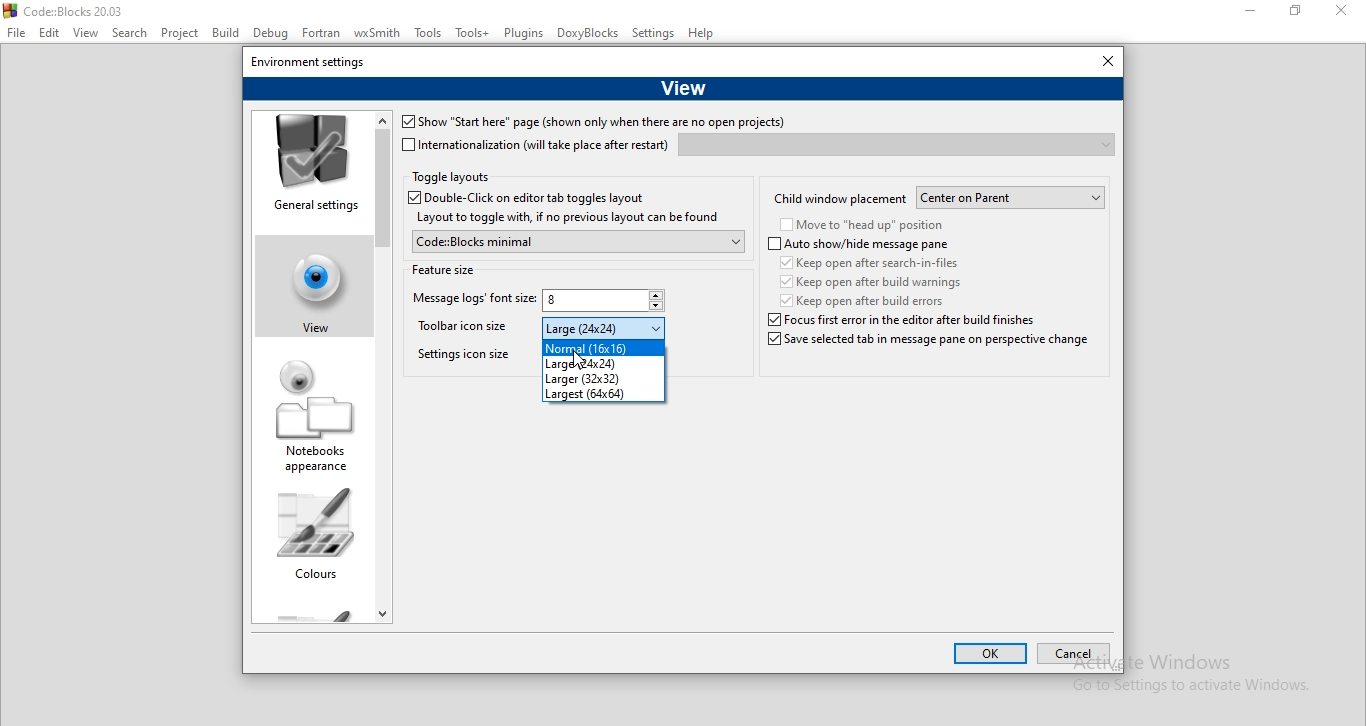 This screenshot has width=1366, height=726. What do you see at coordinates (471, 301) in the screenshot?
I see `Message logs font size: 8` at bounding box center [471, 301].